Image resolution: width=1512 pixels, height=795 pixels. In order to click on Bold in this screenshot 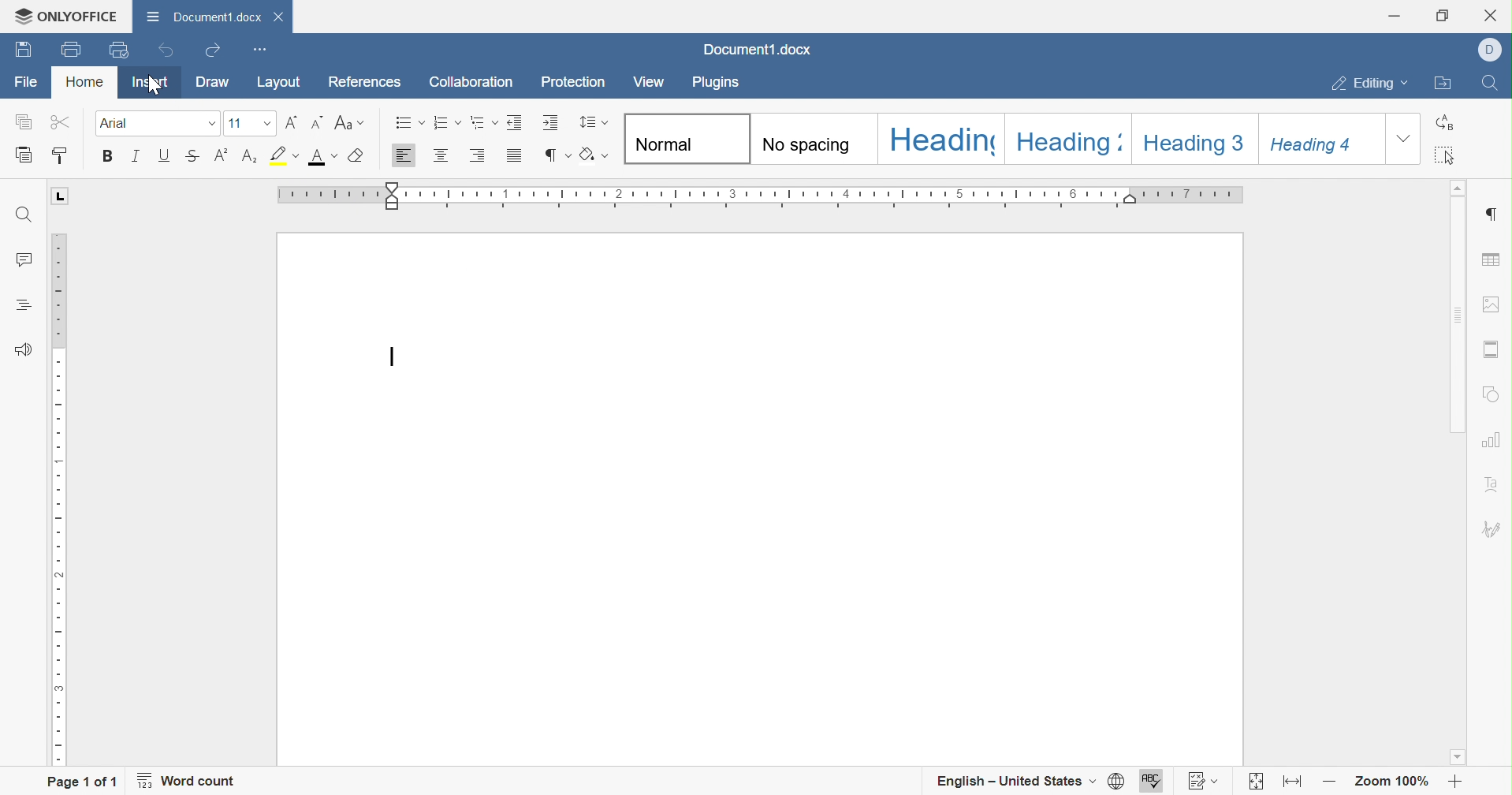, I will do `click(108, 155)`.